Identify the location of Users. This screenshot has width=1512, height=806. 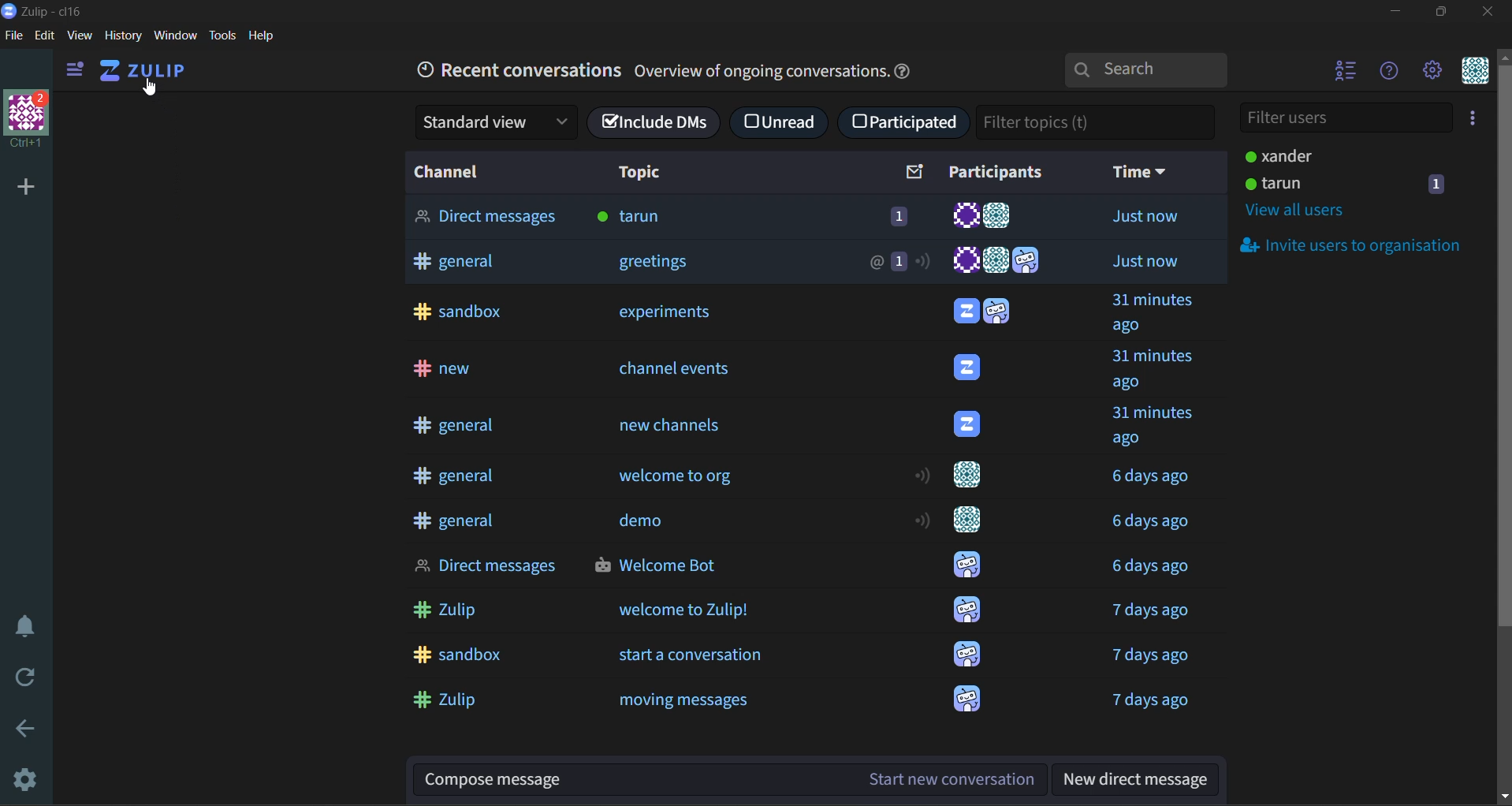
(984, 312).